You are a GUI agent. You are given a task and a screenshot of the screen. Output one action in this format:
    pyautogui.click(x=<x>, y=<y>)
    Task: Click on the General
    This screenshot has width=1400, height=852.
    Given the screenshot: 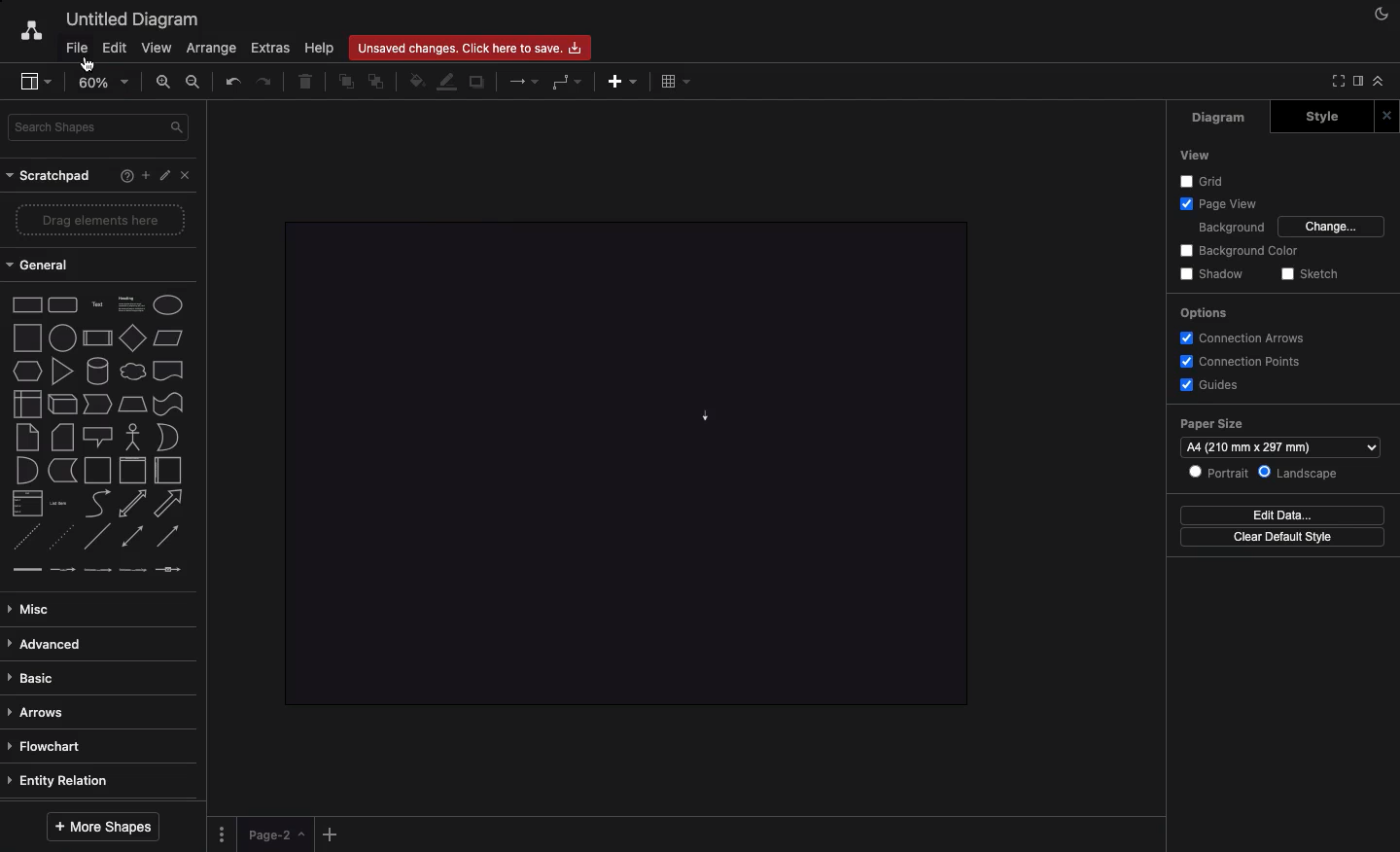 What is the action you would take?
    pyautogui.click(x=47, y=265)
    